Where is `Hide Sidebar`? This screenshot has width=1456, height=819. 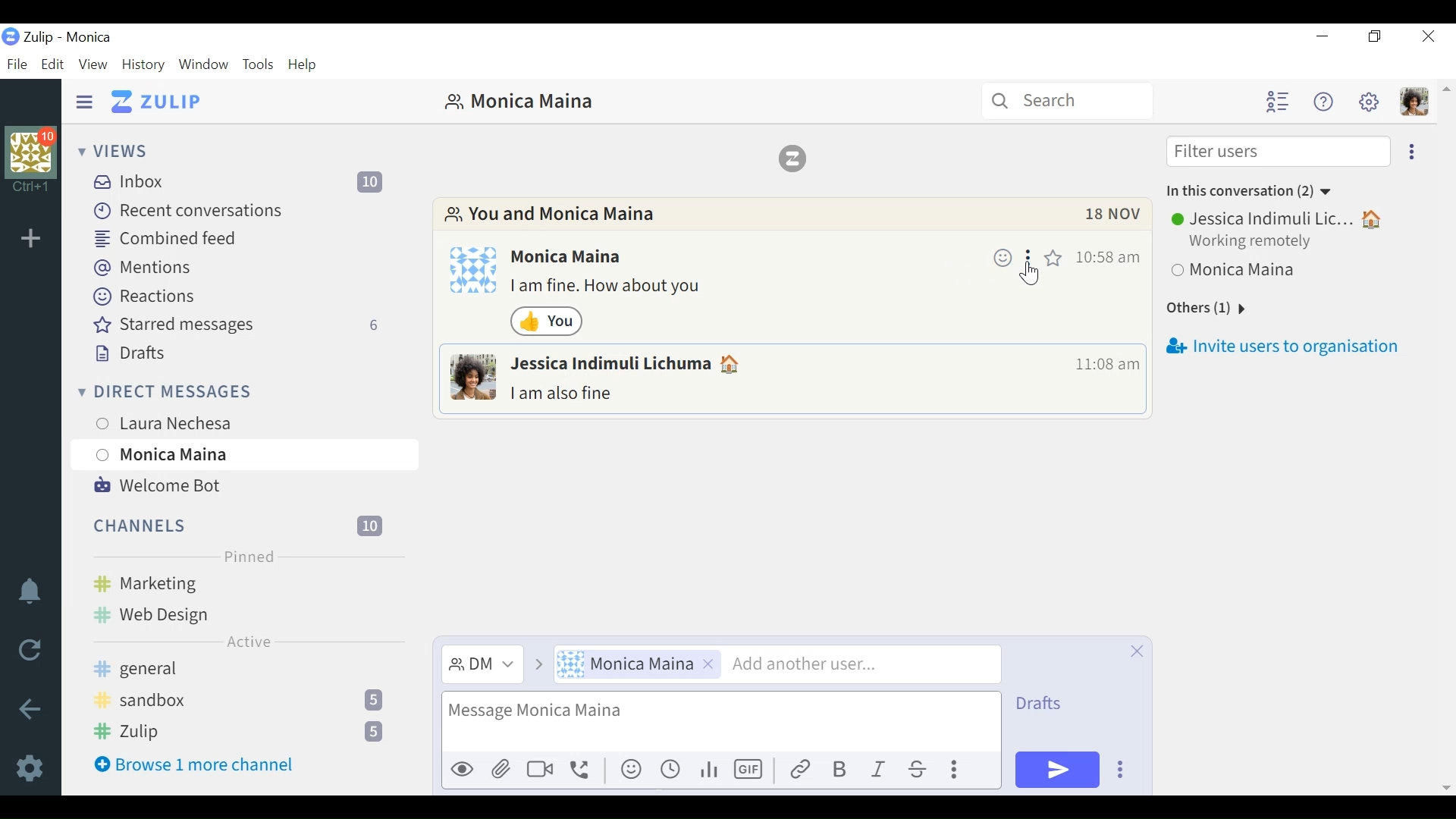 Hide Sidebar is located at coordinates (84, 100).